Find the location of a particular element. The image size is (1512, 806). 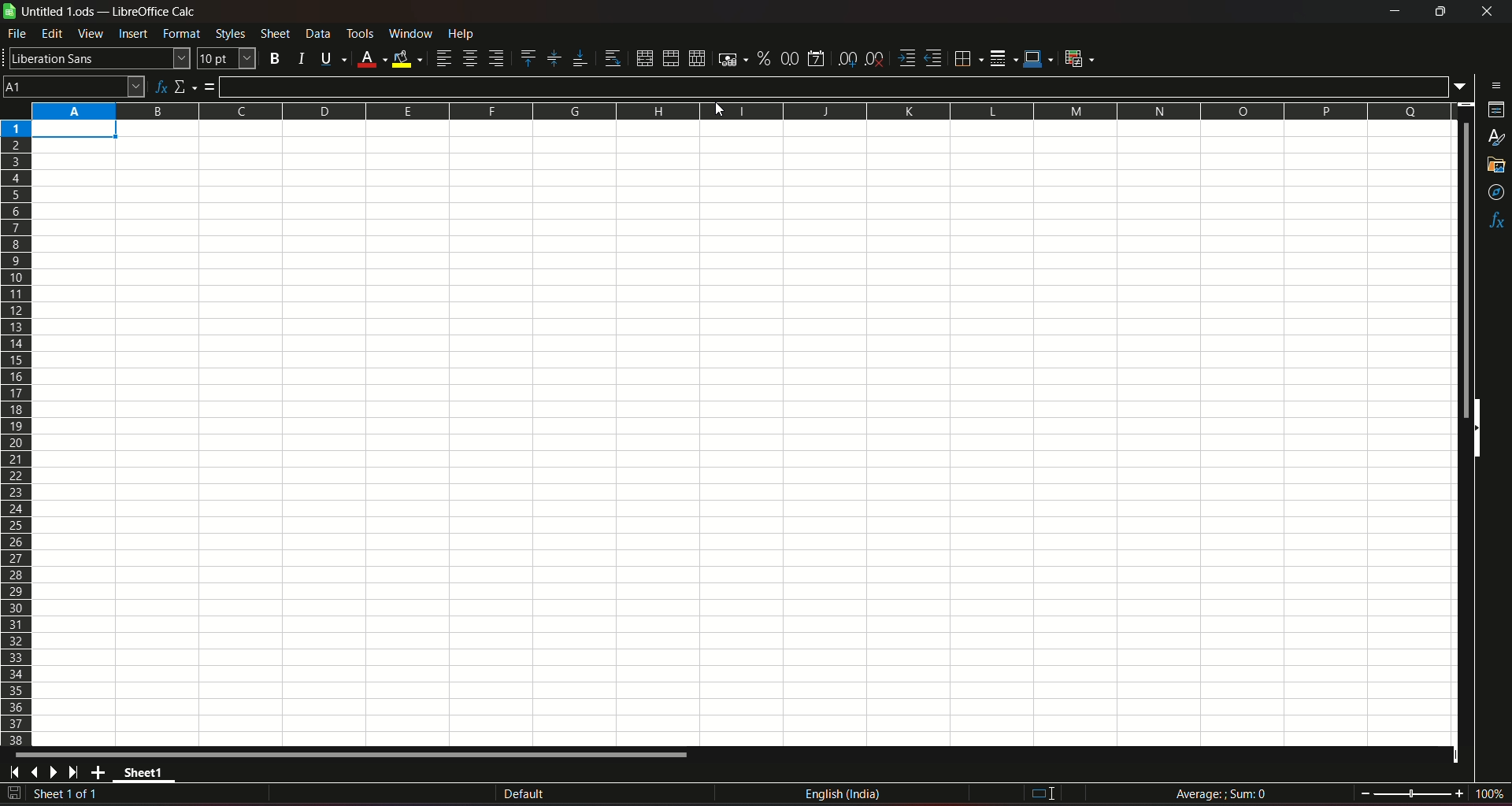

previous sheet is located at coordinates (36, 774).